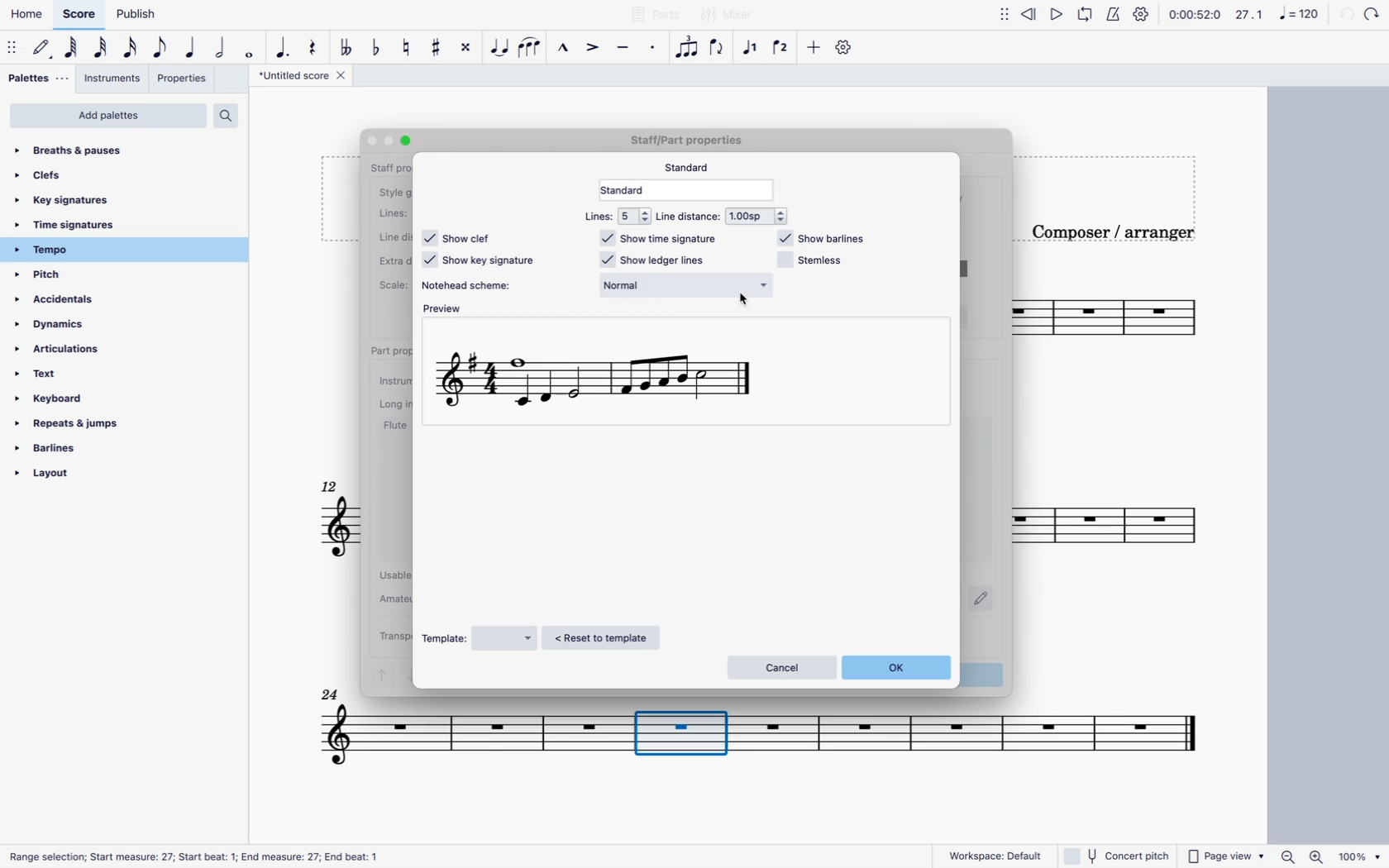 The image size is (1389, 868). Describe the element at coordinates (103, 448) in the screenshot. I see `barlines` at that location.